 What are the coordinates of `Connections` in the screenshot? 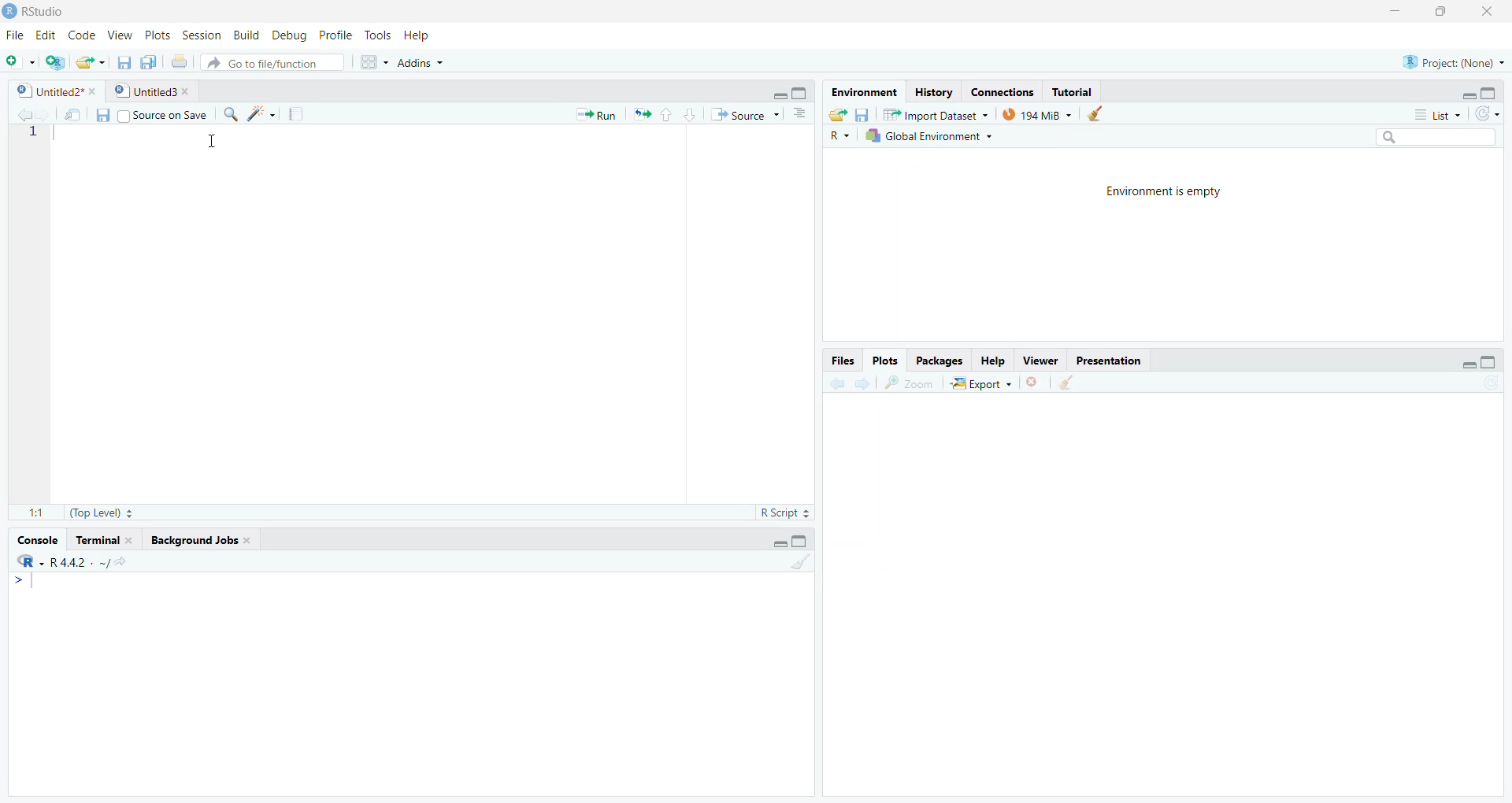 It's located at (1004, 91).